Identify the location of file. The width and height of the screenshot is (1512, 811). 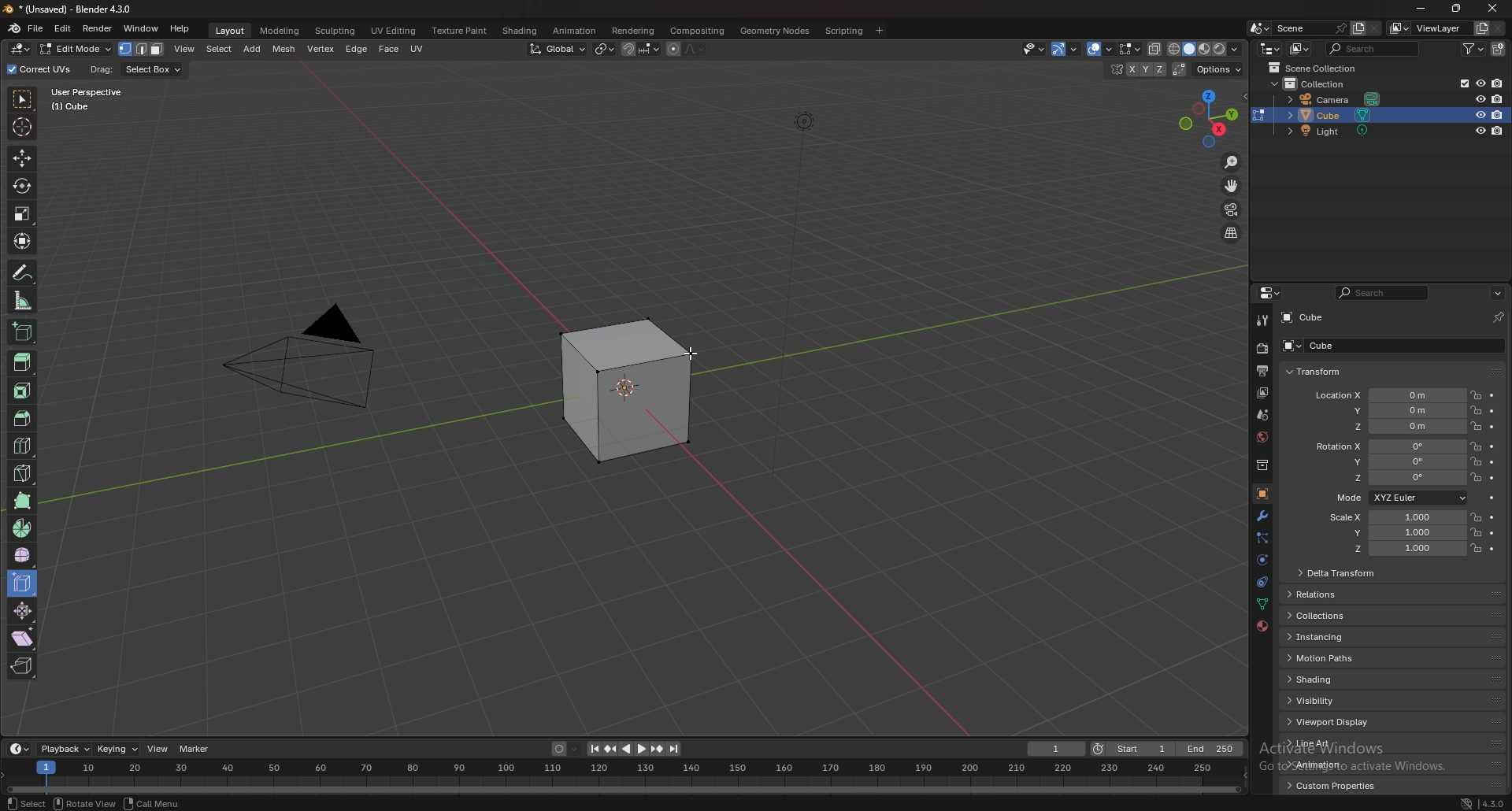
(36, 28).